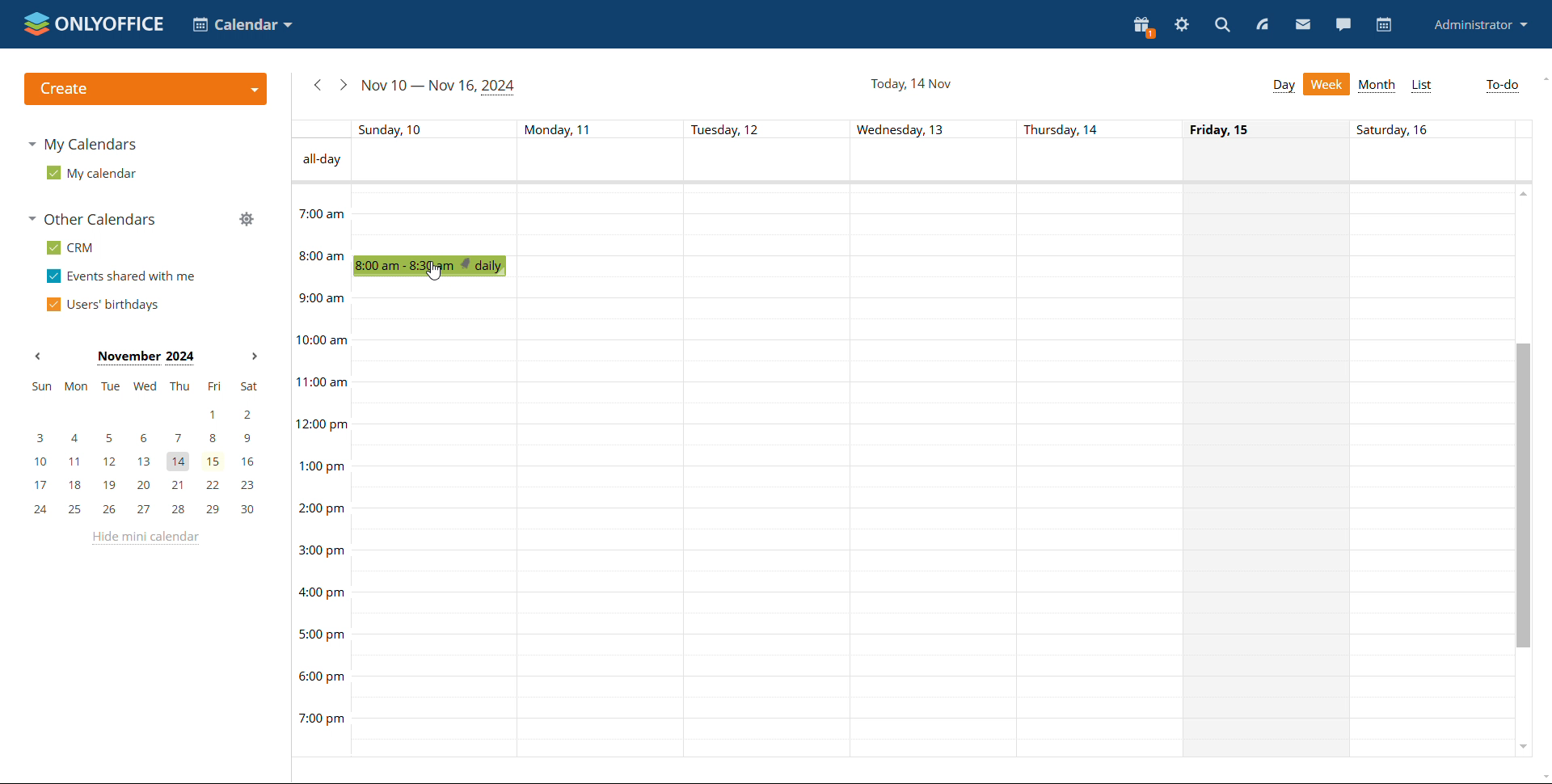 The width and height of the screenshot is (1552, 784). Describe the element at coordinates (910, 82) in the screenshot. I see `current date` at that location.